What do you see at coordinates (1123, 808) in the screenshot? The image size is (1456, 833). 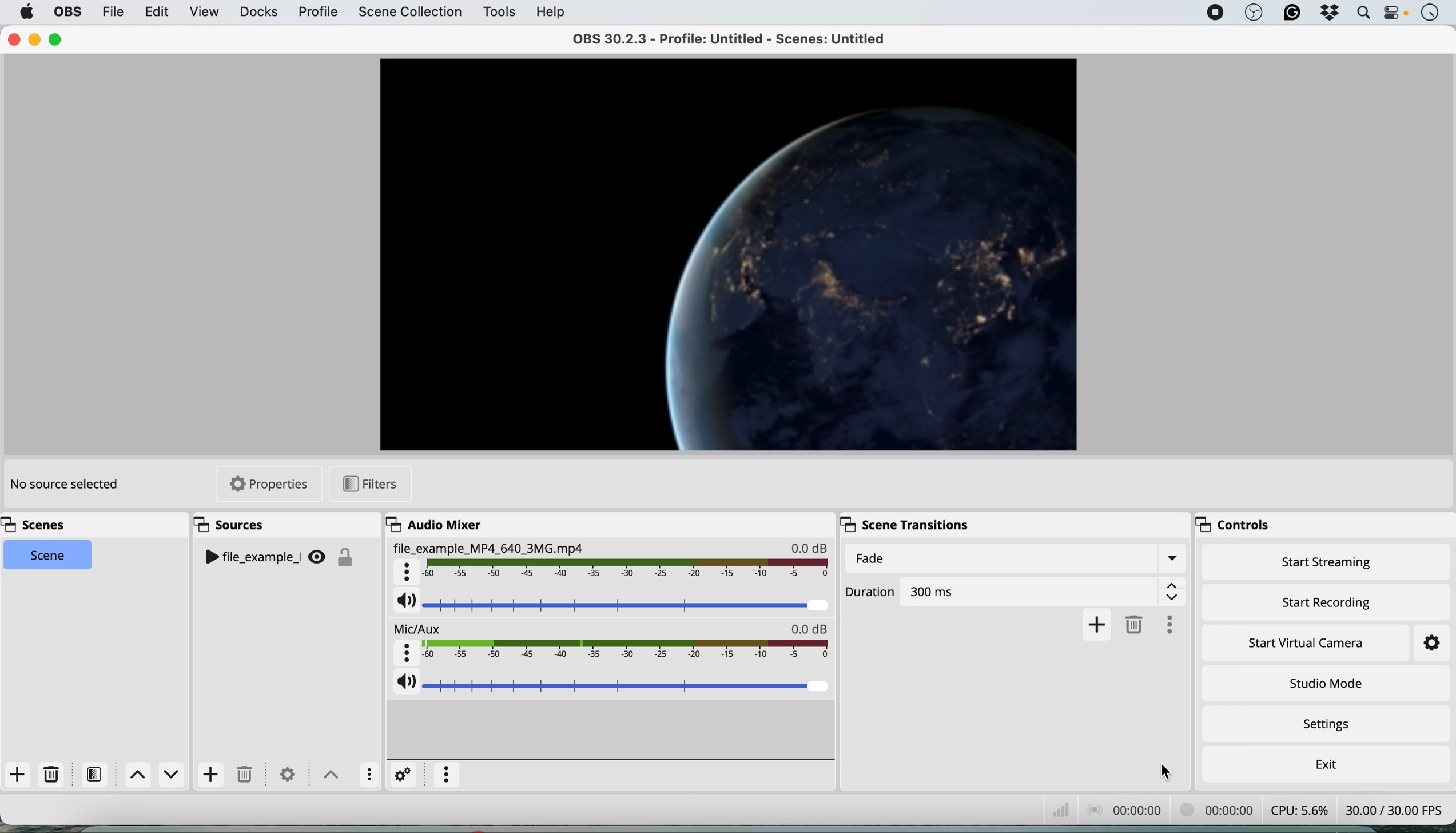 I see `audio recording time stamp` at bounding box center [1123, 808].